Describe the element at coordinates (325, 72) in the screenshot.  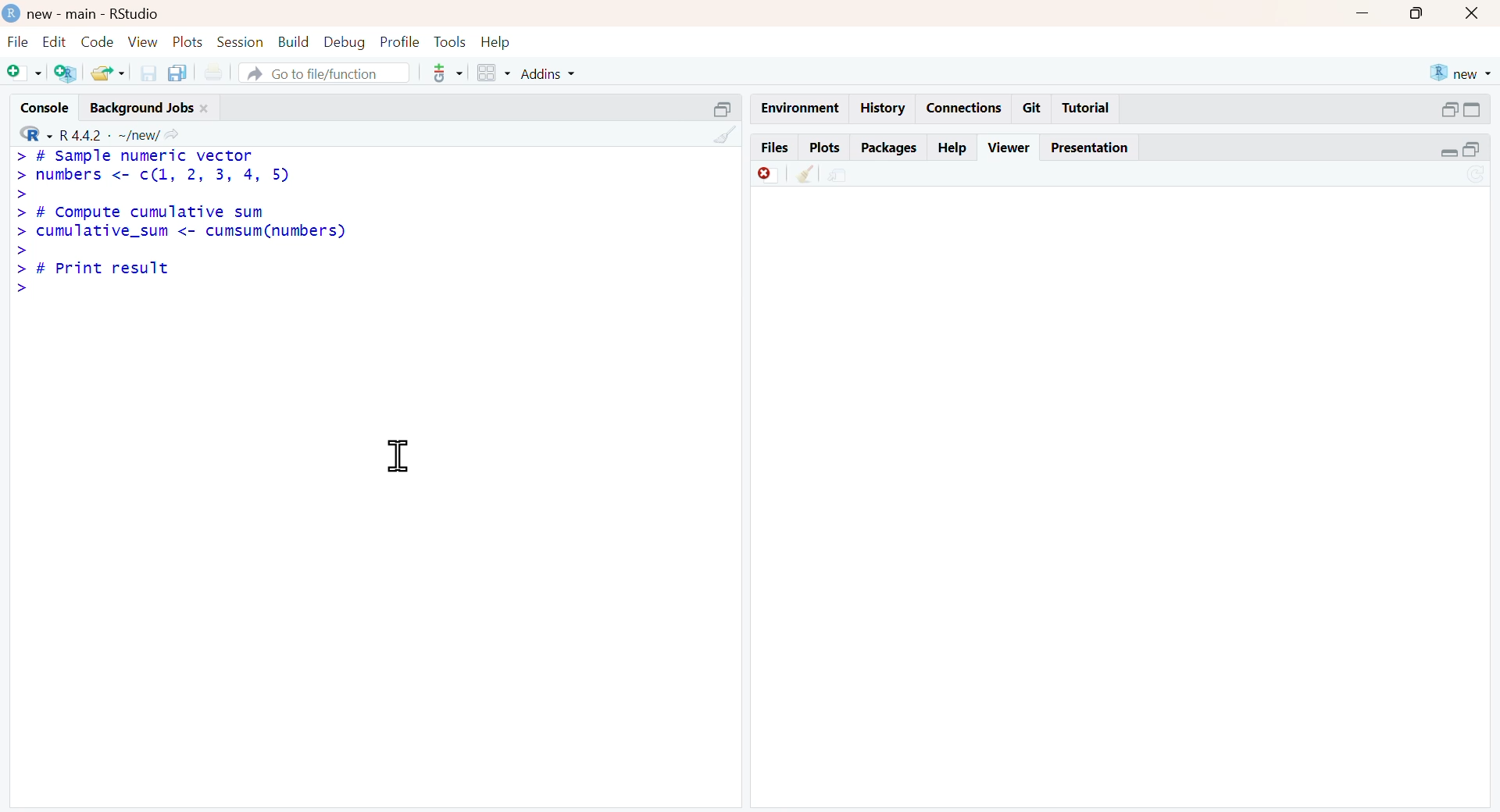
I see `go to file/function` at that location.